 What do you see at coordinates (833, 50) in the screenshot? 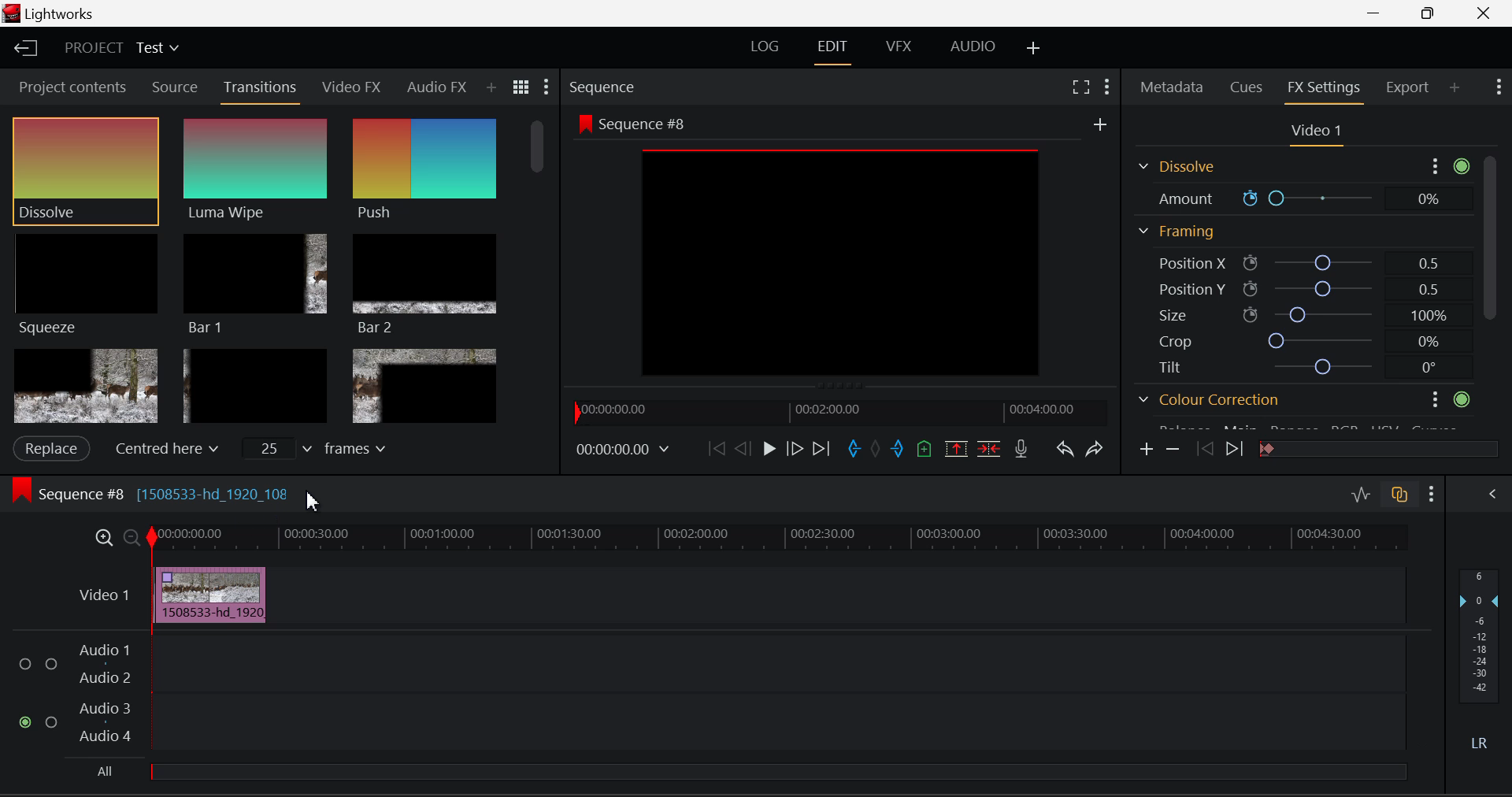
I see `EDIT Layout Open` at bounding box center [833, 50].